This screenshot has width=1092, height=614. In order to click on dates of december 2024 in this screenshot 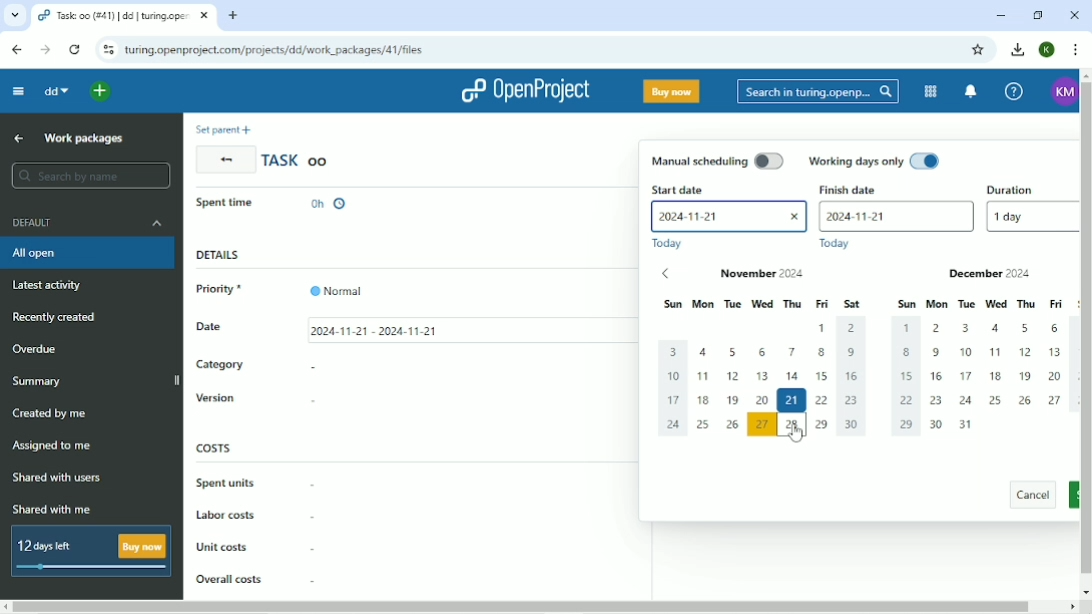, I will do `click(980, 376)`.